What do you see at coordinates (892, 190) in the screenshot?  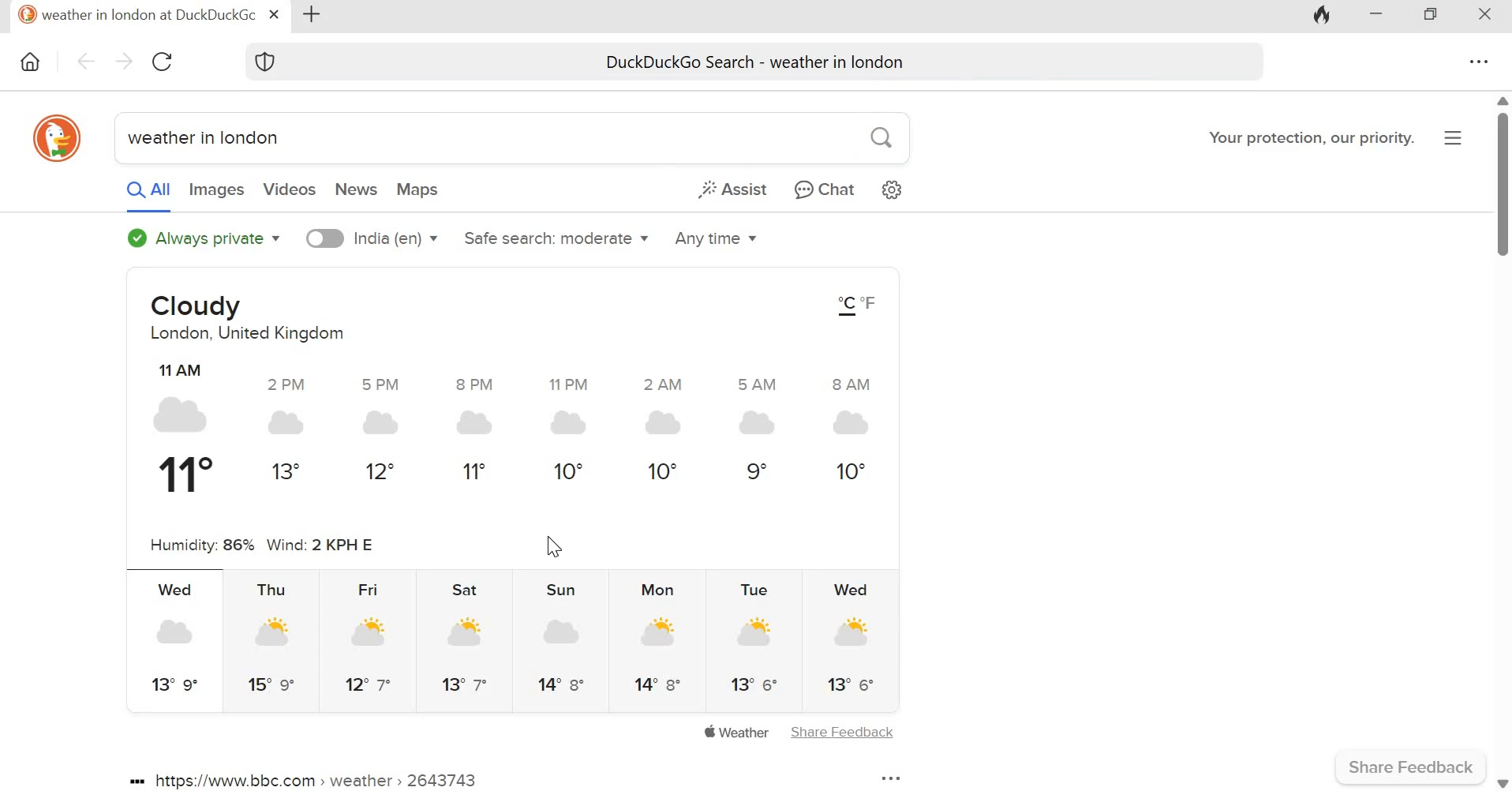 I see `Change search settings` at bounding box center [892, 190].